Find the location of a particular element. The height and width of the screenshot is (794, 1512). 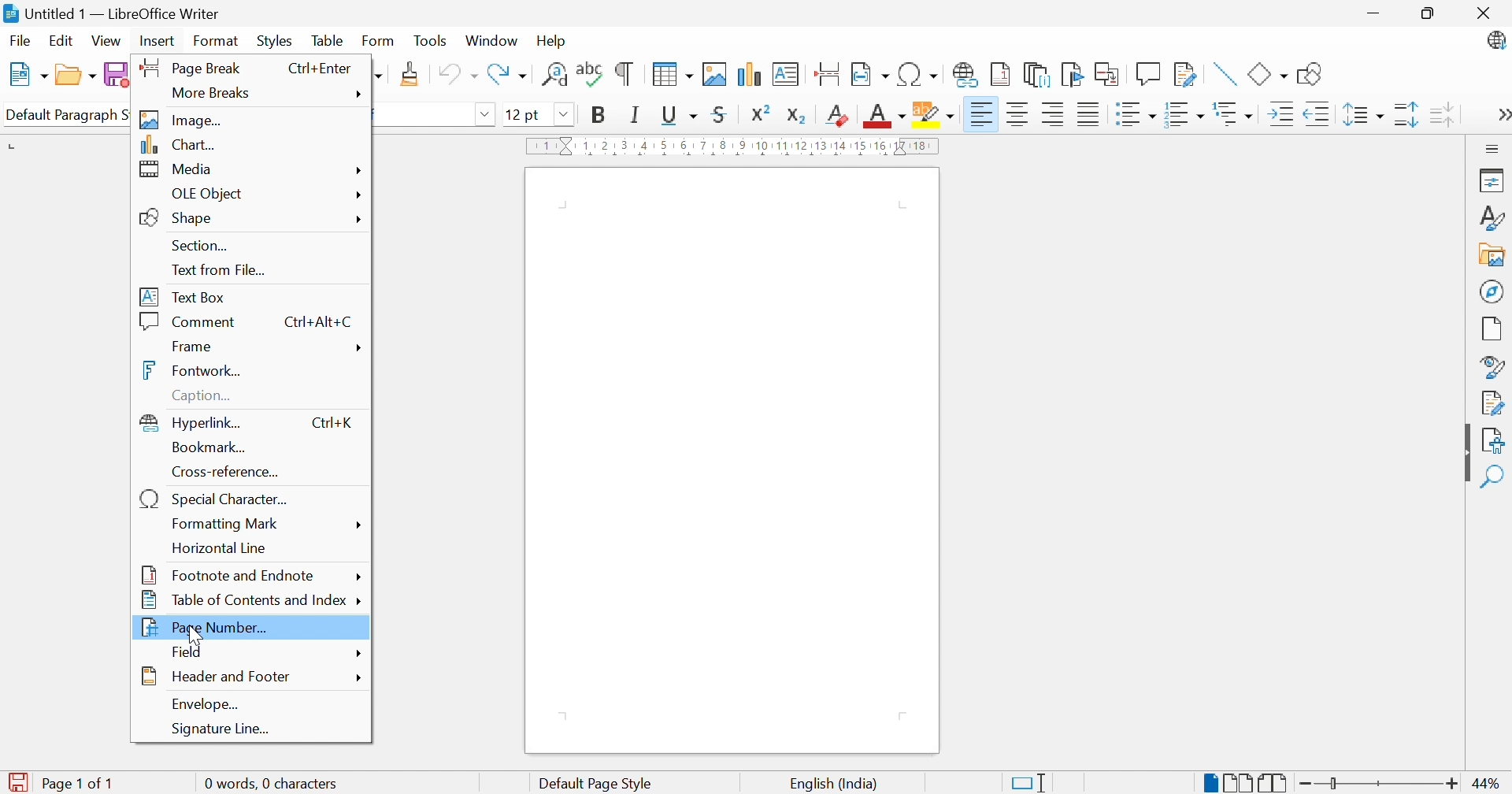

OLE Object is located at coordinates (210, 195).